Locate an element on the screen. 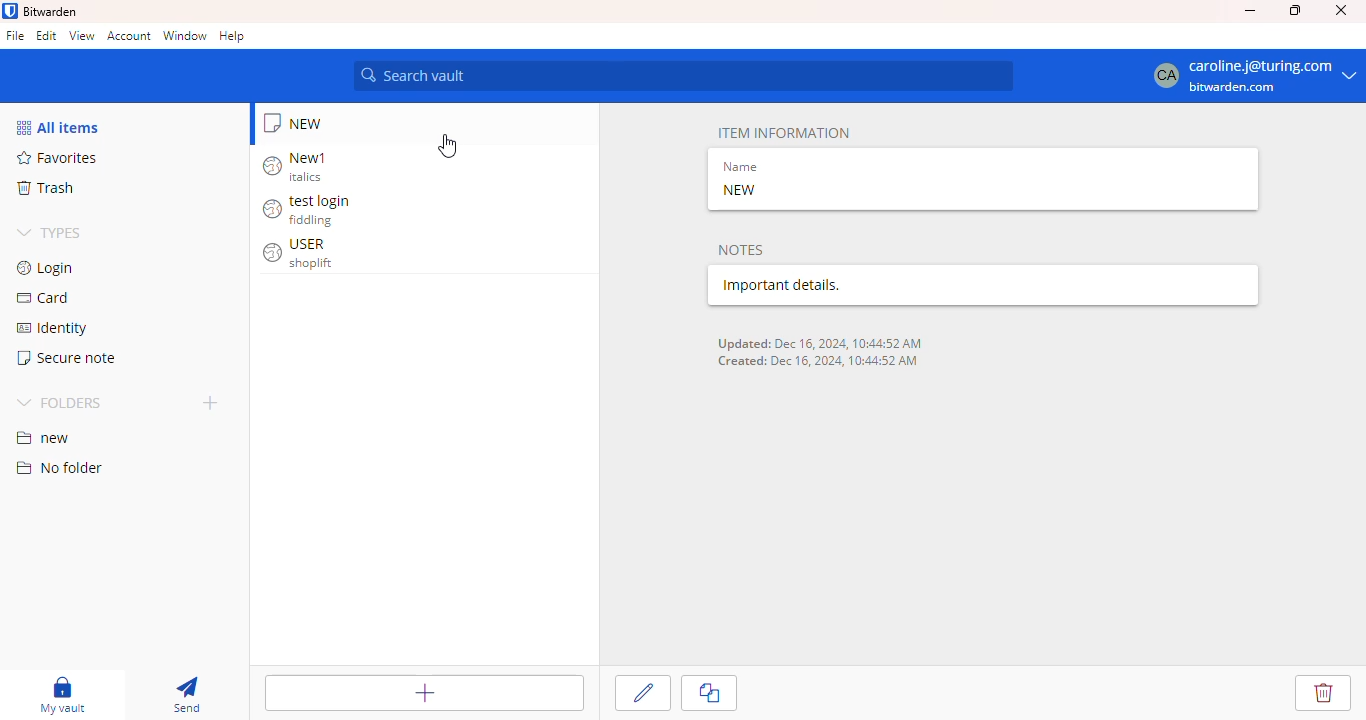  user profile is located at coordinates (1252, 76).